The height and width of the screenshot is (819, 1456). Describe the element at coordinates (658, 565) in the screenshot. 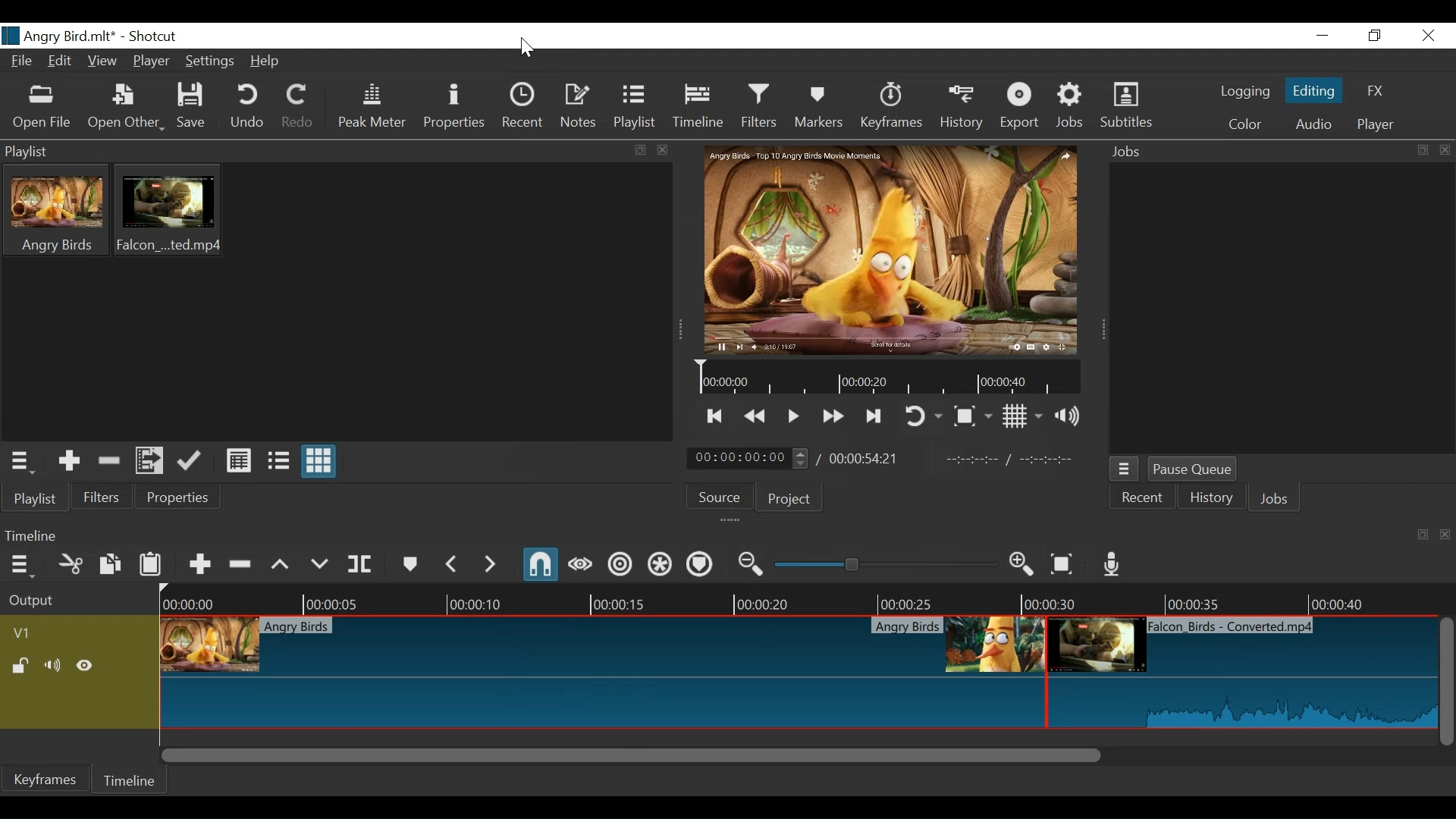

I see `Ripple all tracks` at that location.